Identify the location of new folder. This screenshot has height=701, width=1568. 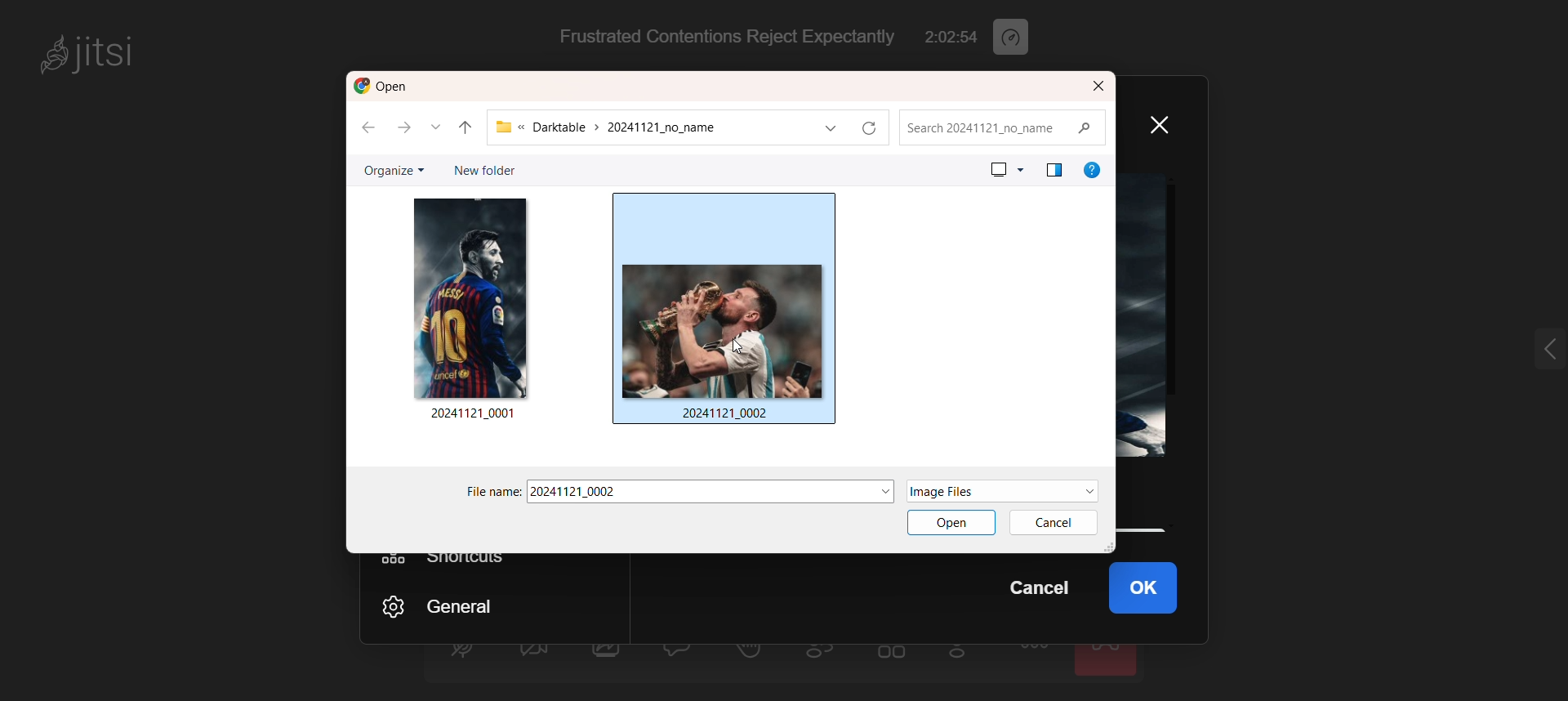
(480, 169).